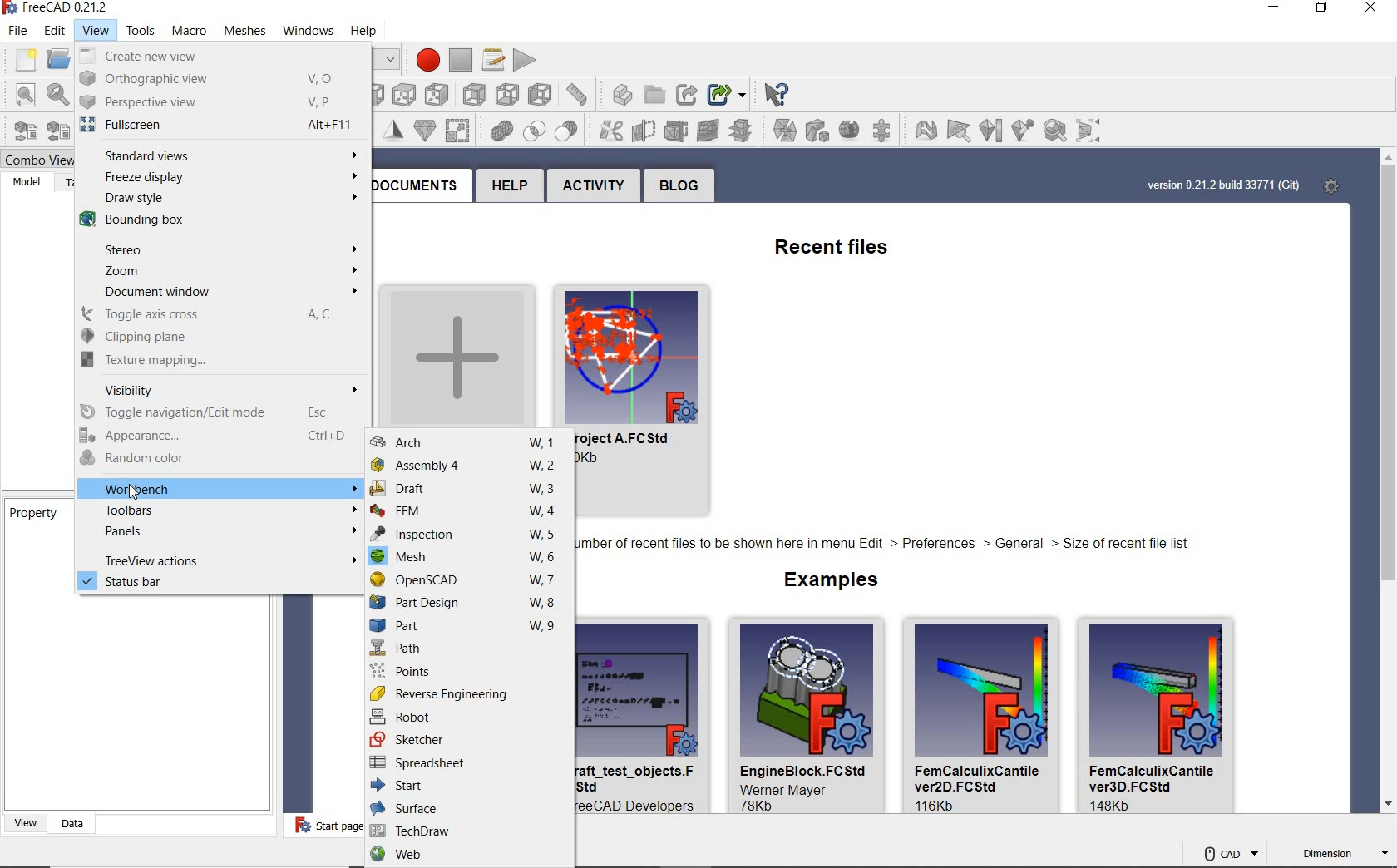  What do you see at coordinates (213, 338) in the screenshot?
I see `clipping plane` at bounding box center [213, 338].